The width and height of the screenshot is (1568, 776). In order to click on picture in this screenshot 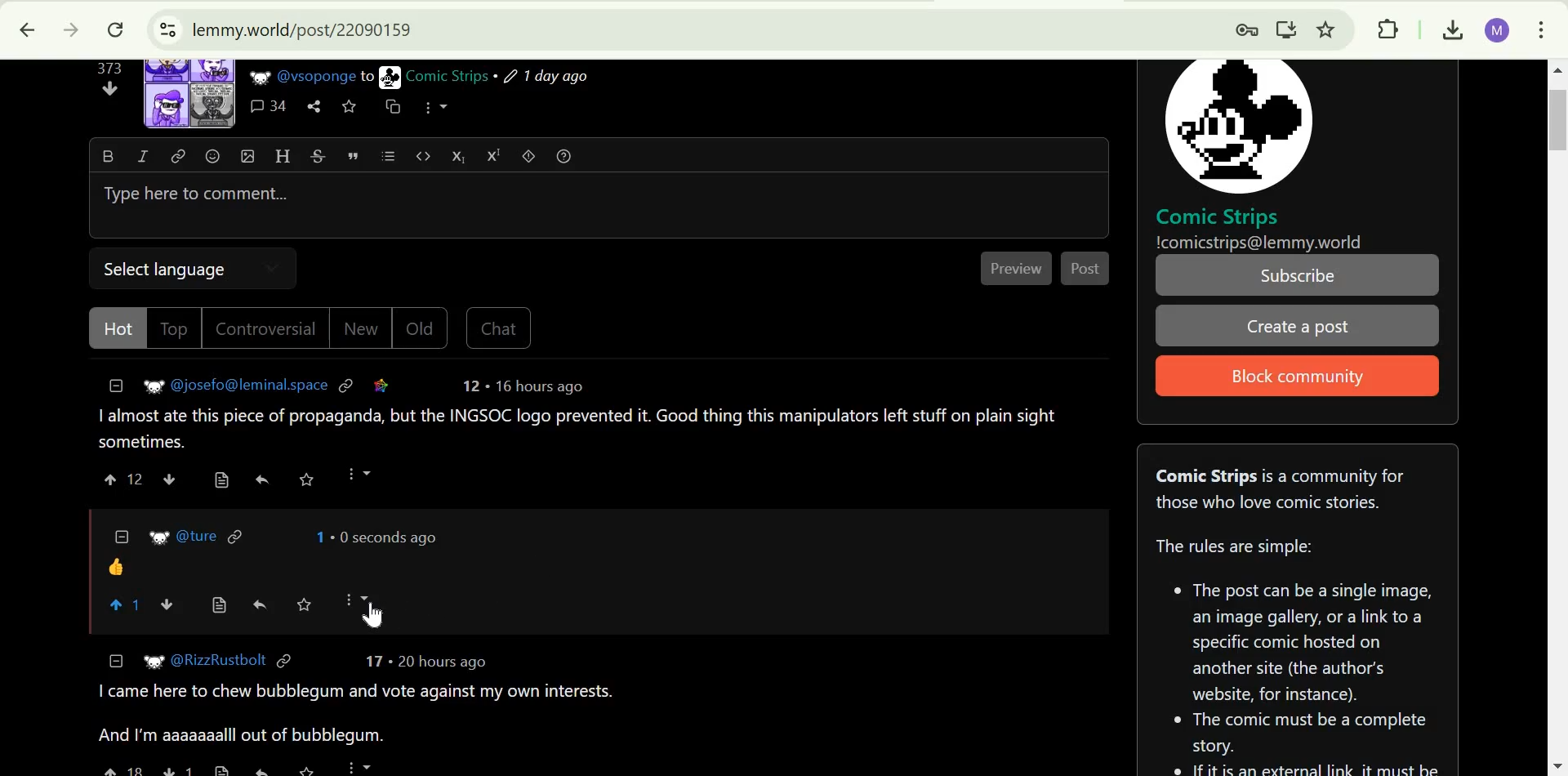, I will do `click(1237, 125)`.